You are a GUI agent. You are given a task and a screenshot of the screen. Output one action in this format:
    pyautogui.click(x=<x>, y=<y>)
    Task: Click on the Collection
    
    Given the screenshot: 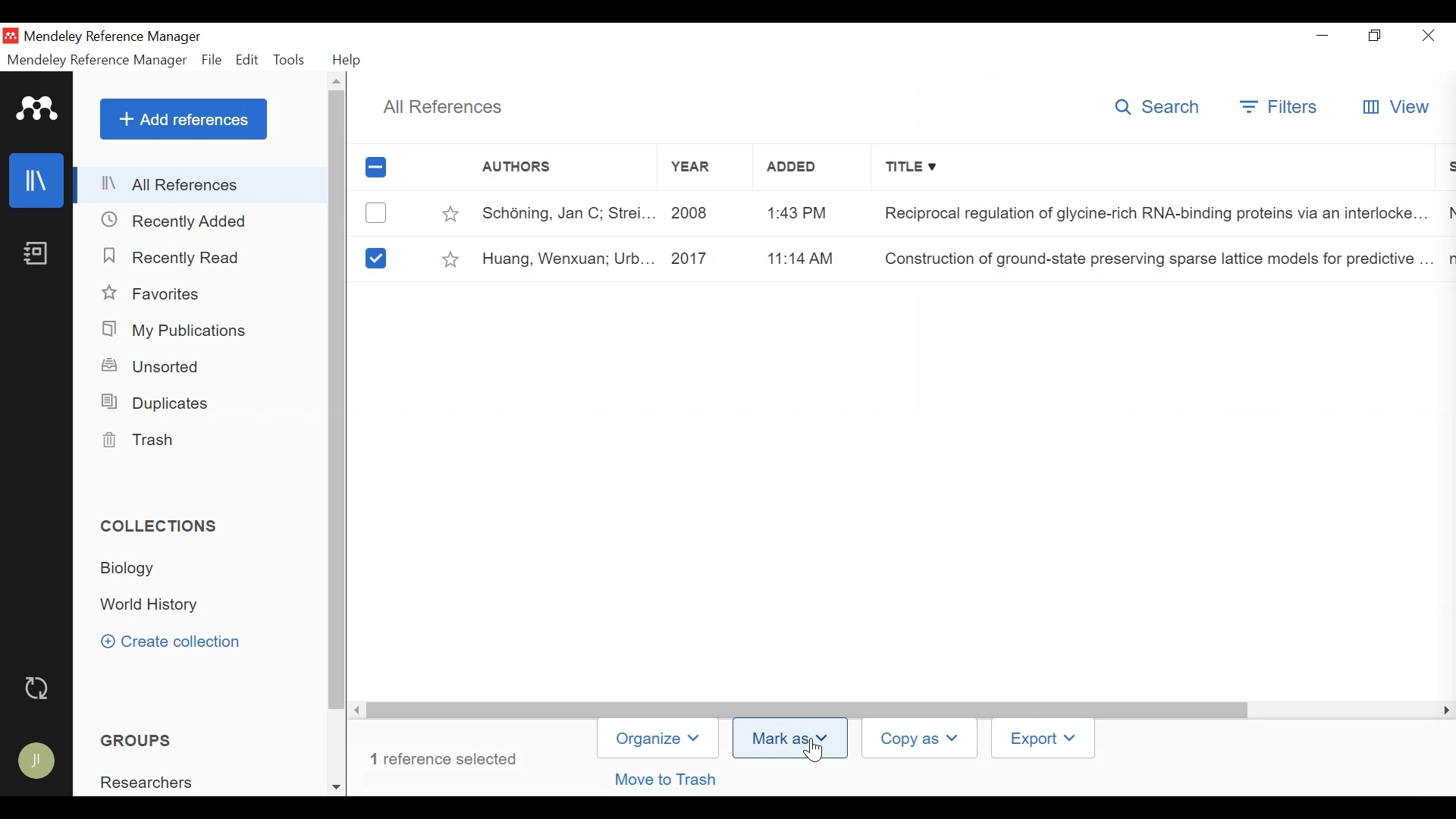 What is the action you would take?
    pyautogui.click(x=165, y=605)
    